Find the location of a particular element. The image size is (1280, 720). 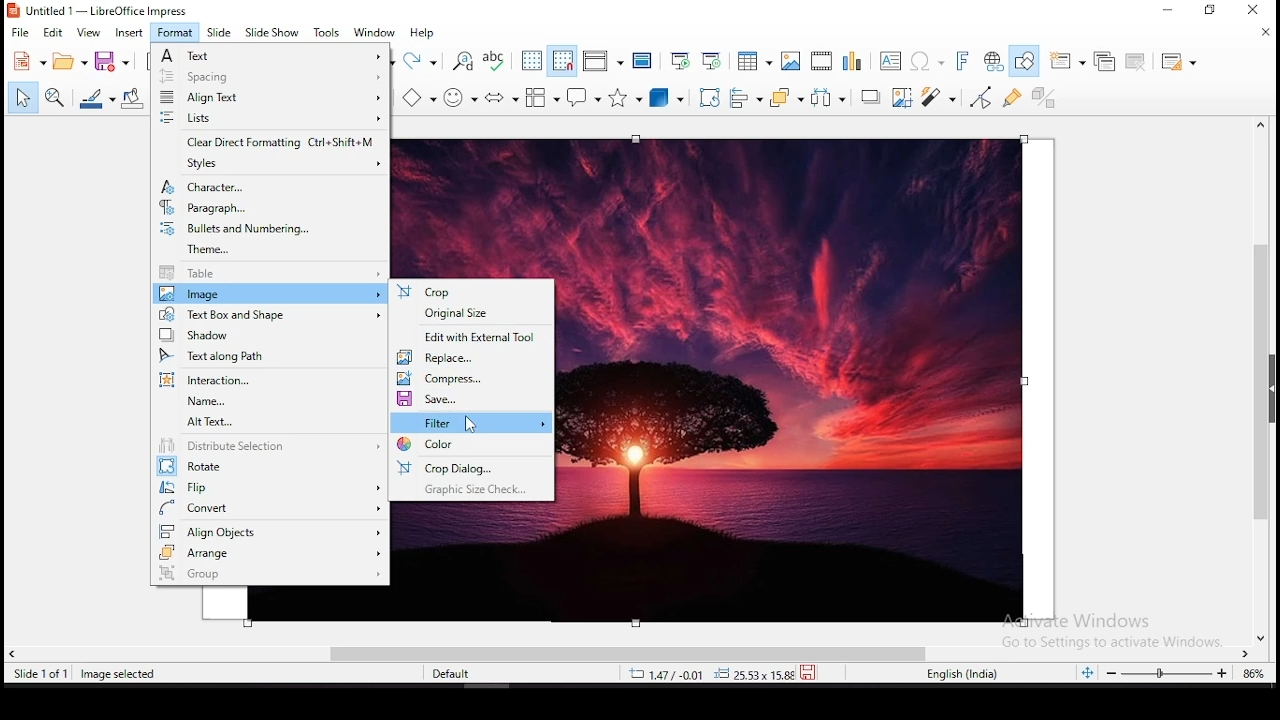

flowchart is located at coordinates (541, 97).